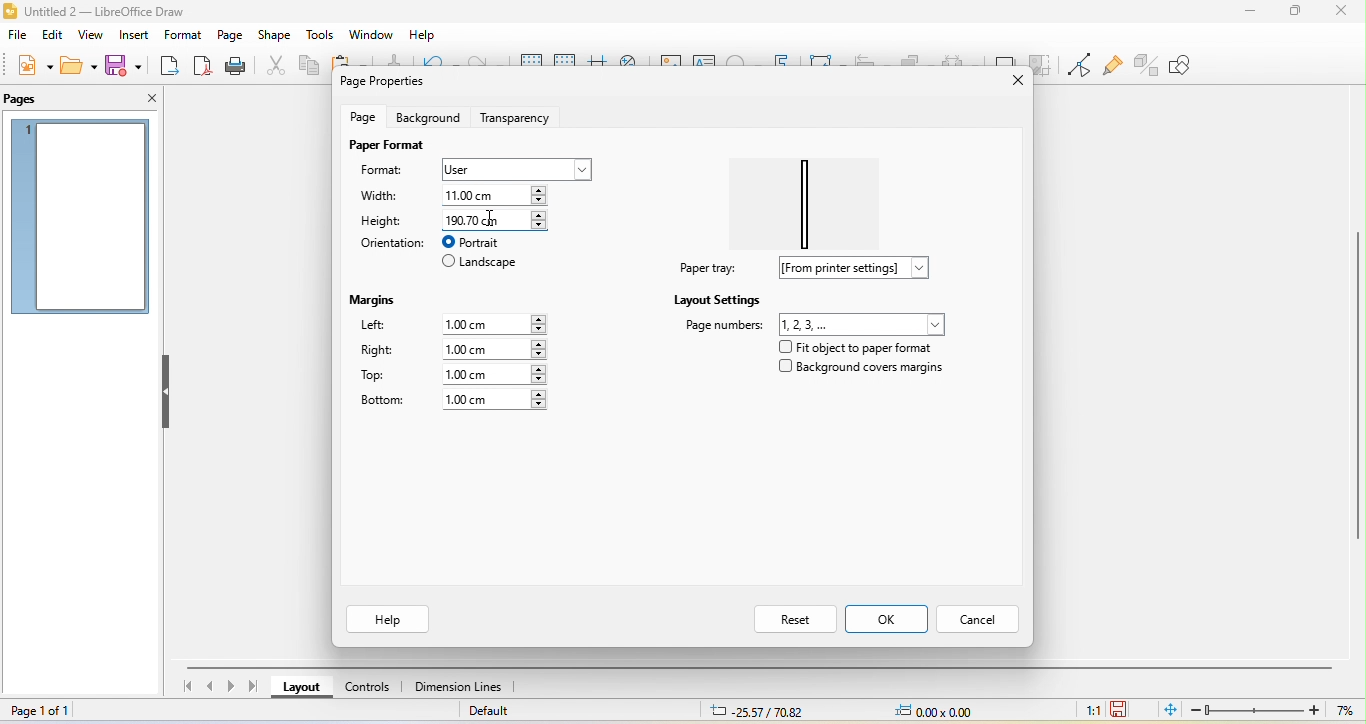 The image size is (1366, 724). What do you see at coordinates (500, 194) in the screenshot?
I see `110.00 cm` at bounding box center [500, 194].